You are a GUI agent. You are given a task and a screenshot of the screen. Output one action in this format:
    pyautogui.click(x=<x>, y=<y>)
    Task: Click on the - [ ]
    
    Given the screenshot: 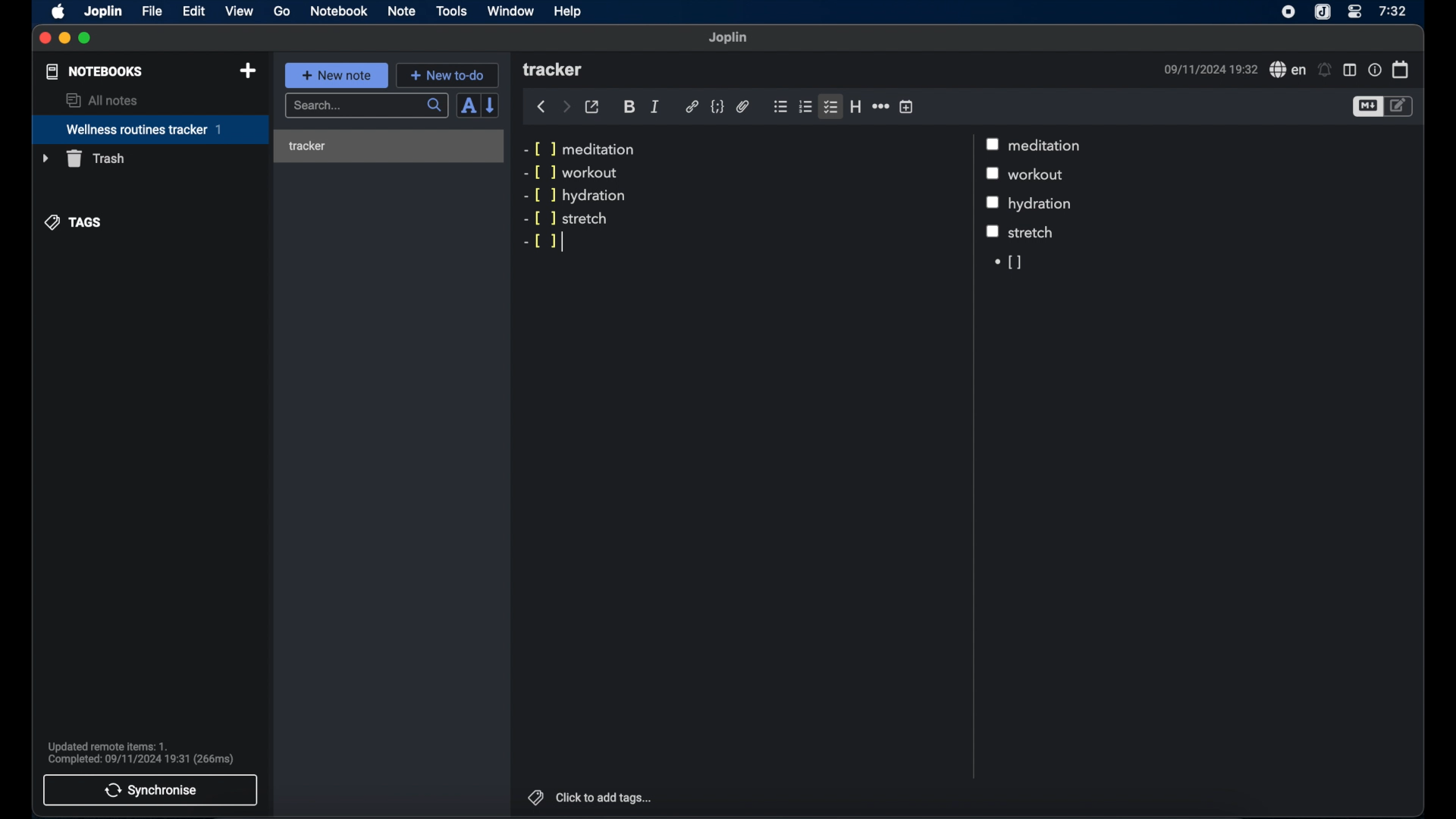 What is the action you would take?
    pyautogui.click(x=539, y=241)
    